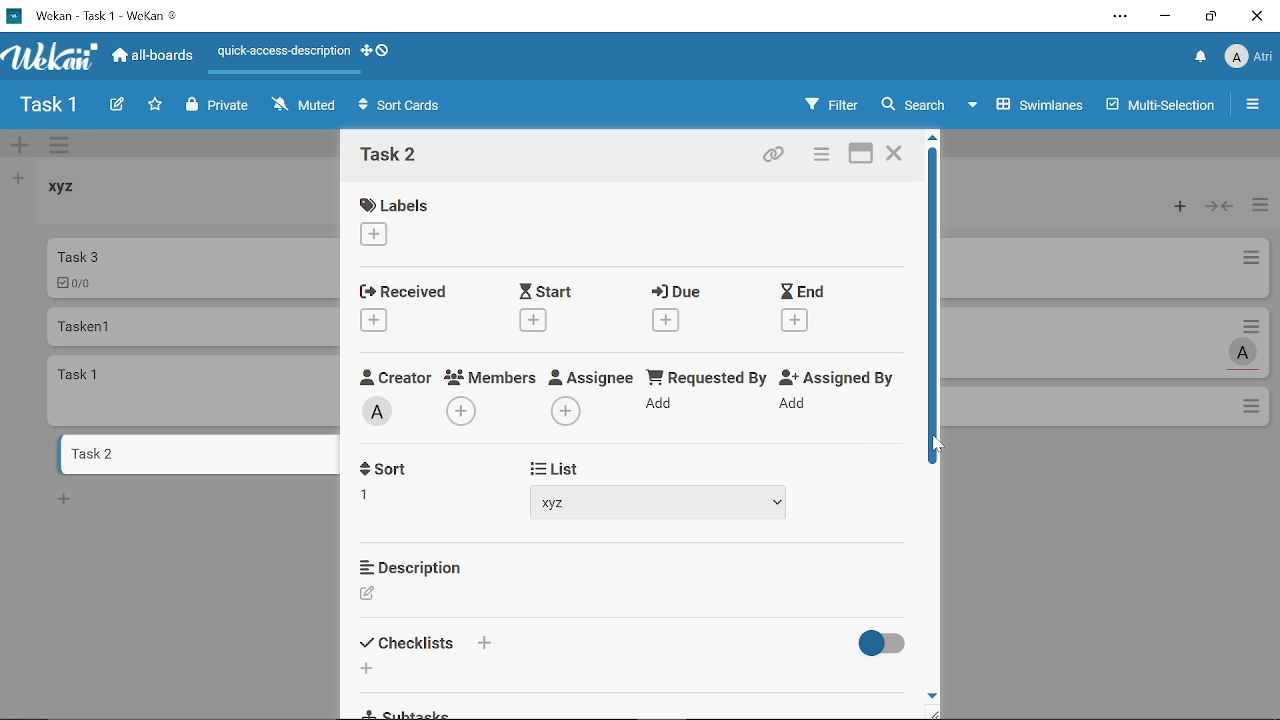  What do you see at coordinates (668, 321) in the screenshot?
I see `Add due date` at bounding box center [668, 321].